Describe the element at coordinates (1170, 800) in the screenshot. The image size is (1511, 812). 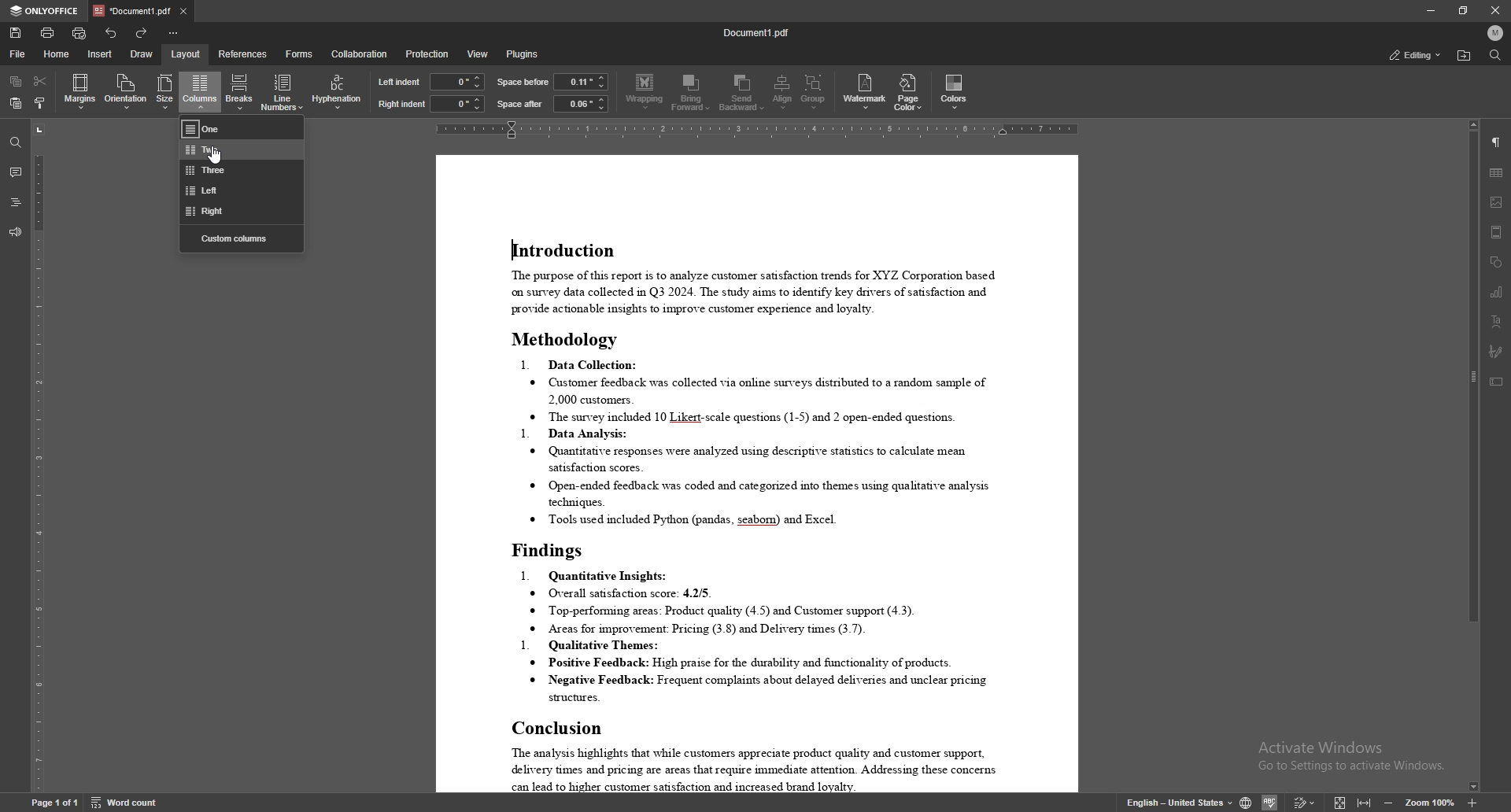
I see `change text language` at that location.